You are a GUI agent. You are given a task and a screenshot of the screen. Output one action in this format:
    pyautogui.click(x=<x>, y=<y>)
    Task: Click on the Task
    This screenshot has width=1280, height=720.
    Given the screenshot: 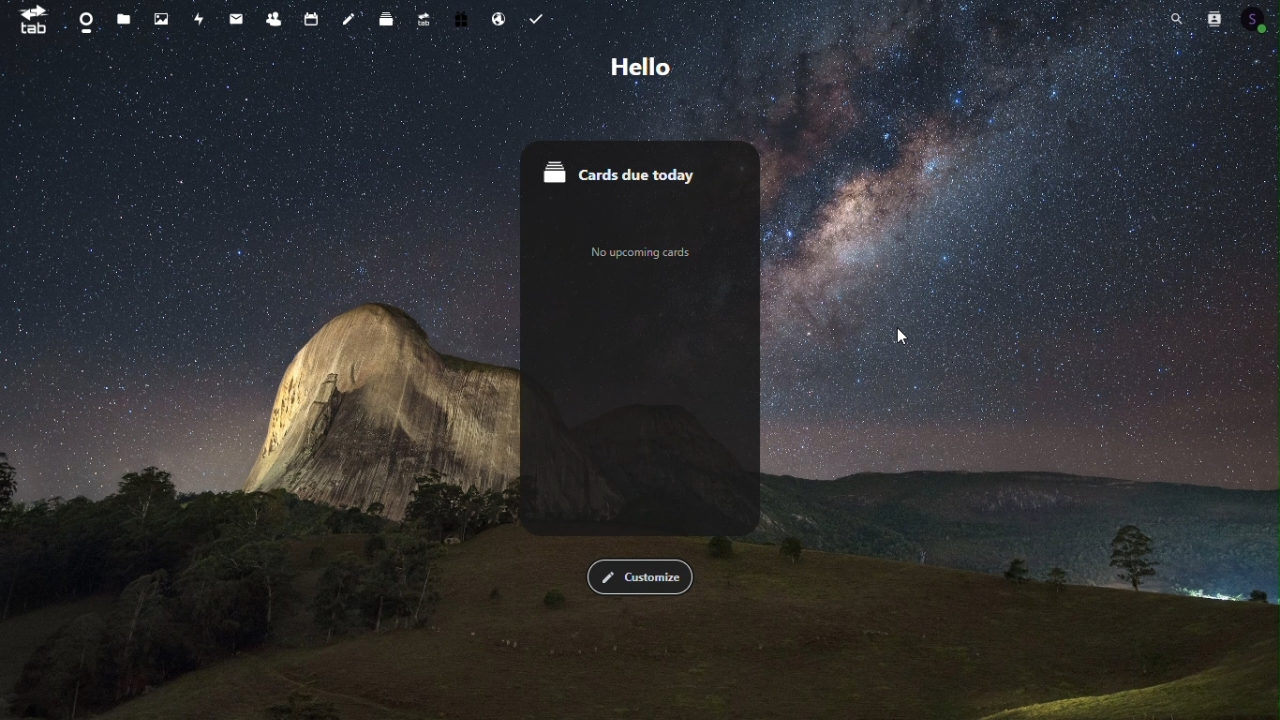 What is the action you would take?
    pyautogui.click(x=535, y=17)
    